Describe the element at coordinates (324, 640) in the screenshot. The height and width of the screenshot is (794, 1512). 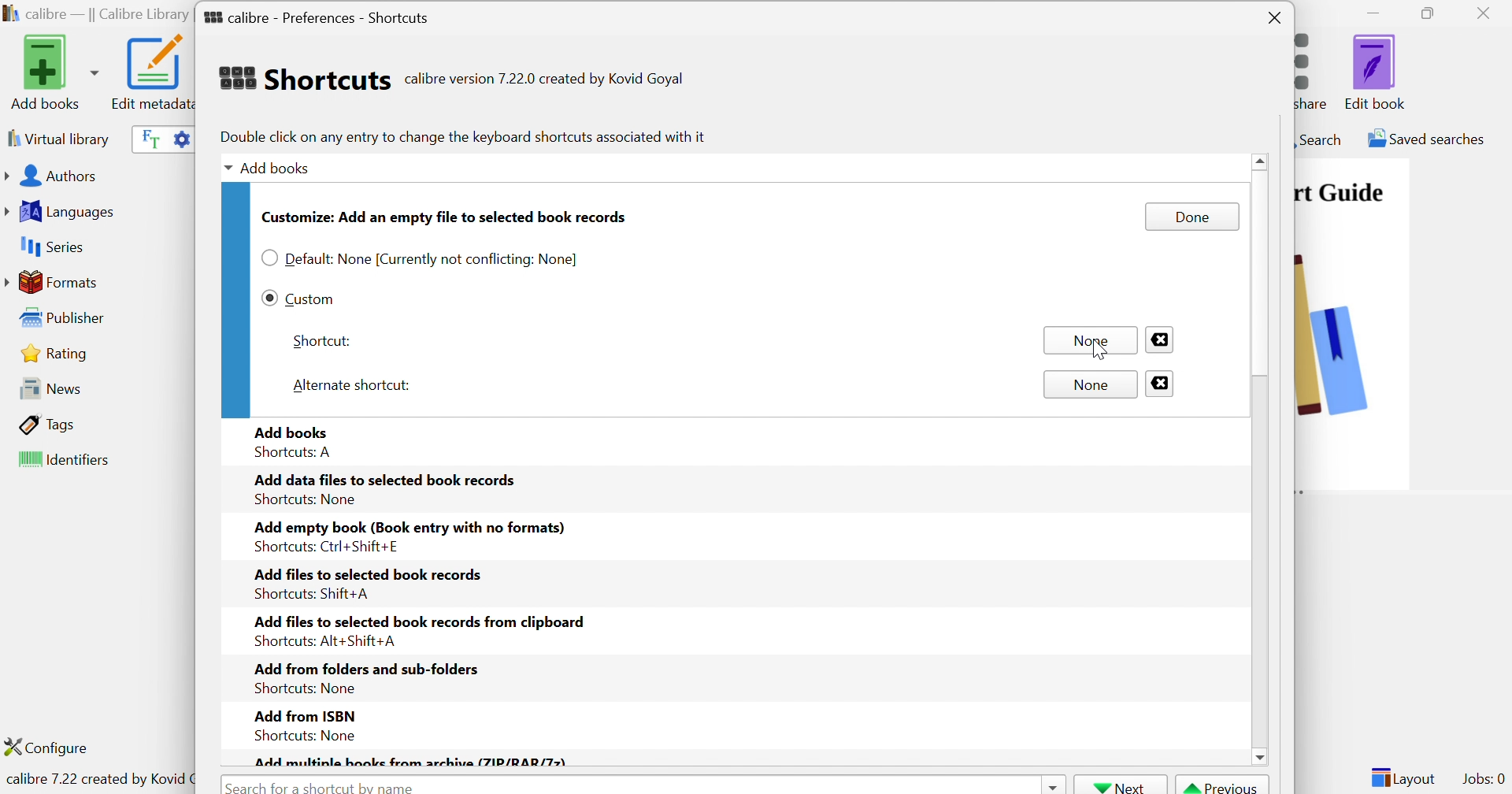
I see `Shortcuts: Alt+Shift+A` at that location.